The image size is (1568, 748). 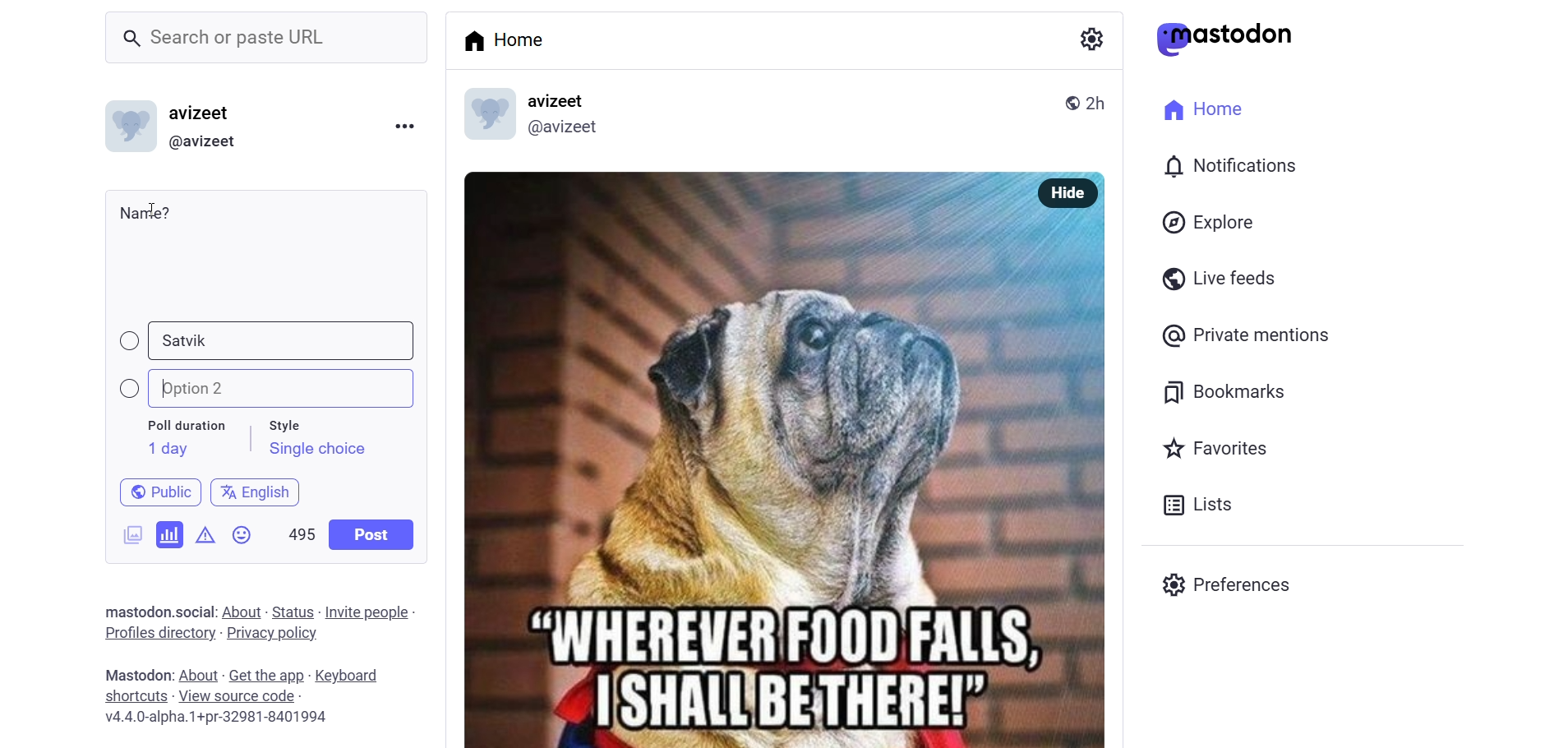 What do you see at coordinates (134, 674) in the screenshot?
I see `mastodon` at bounding box center [134, 674].